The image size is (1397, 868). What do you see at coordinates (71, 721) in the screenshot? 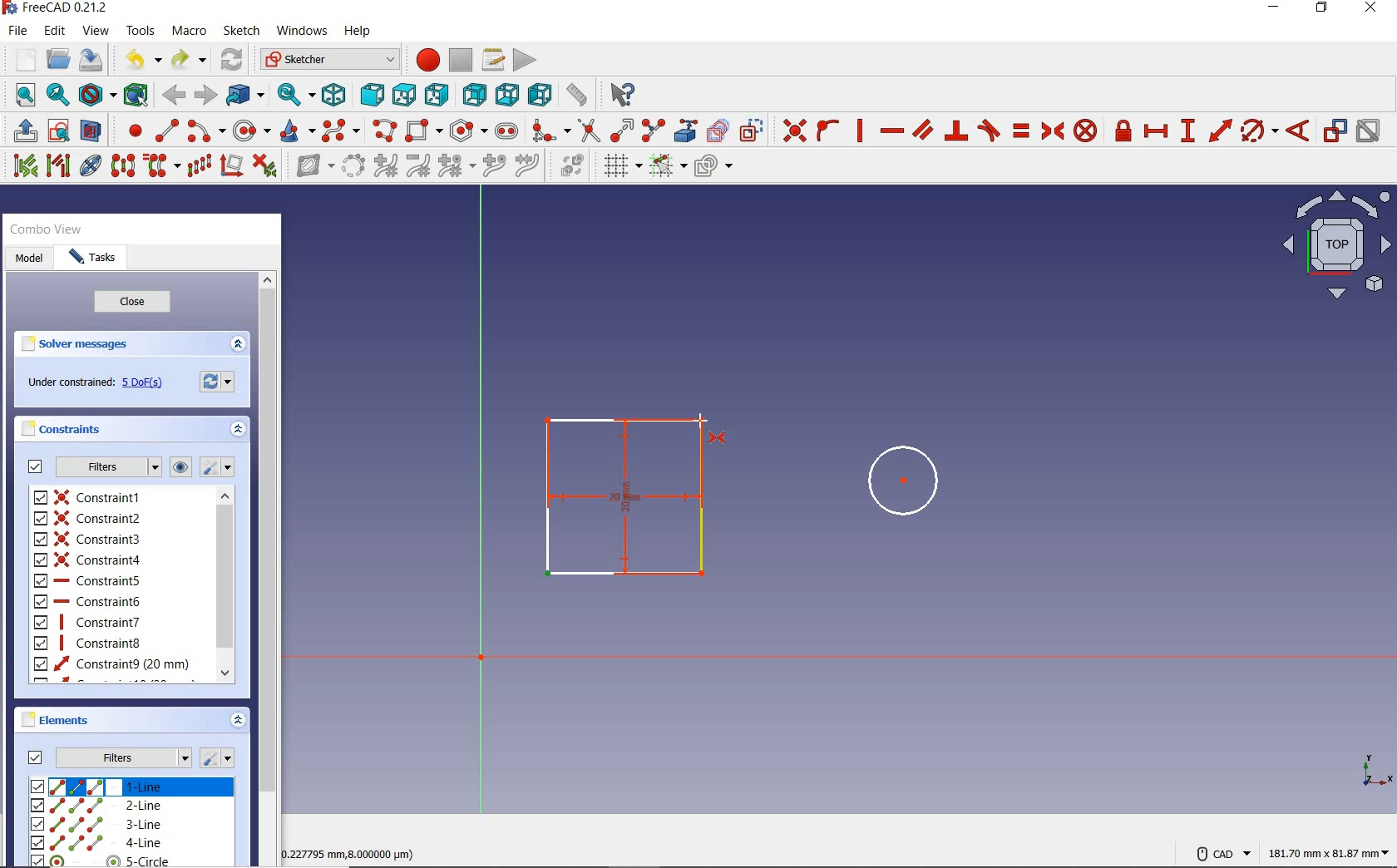
I see `elements` at bounding box center [71, 721].